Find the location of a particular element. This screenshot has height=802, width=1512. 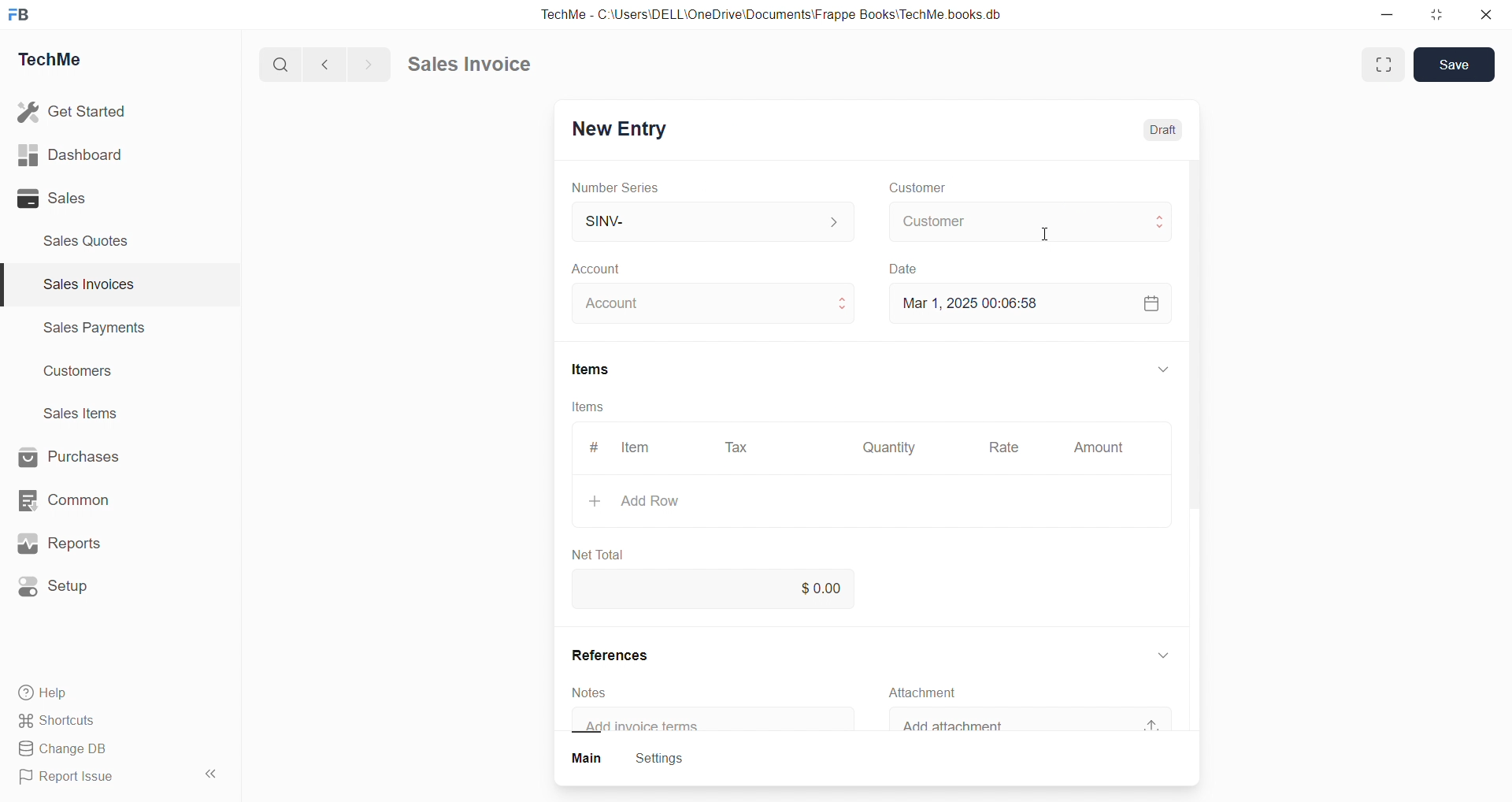

# Item is located at coordinates (630, 447).